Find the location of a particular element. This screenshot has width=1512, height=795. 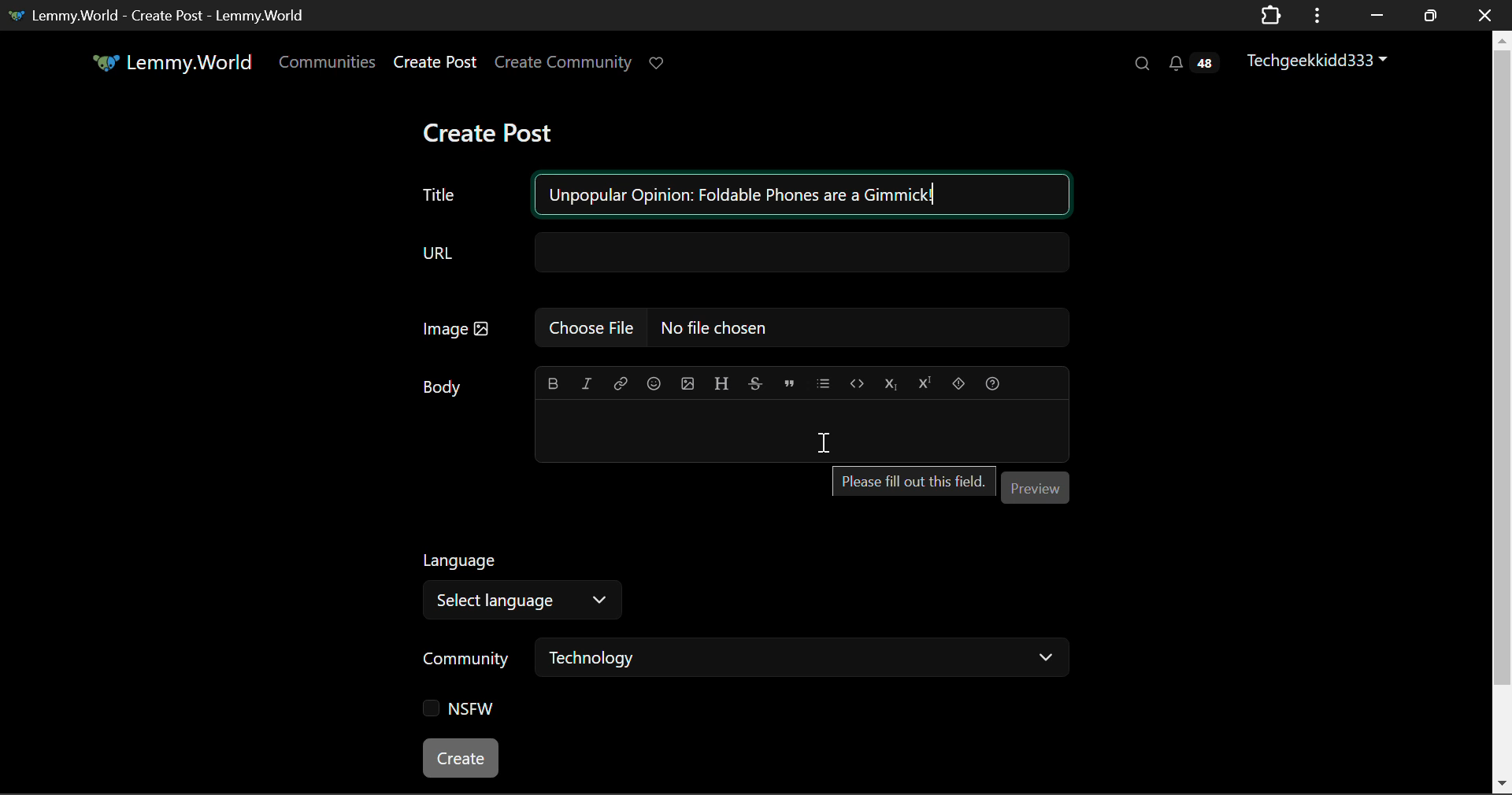

Insert Image Field is located at coordinates (745, 327).